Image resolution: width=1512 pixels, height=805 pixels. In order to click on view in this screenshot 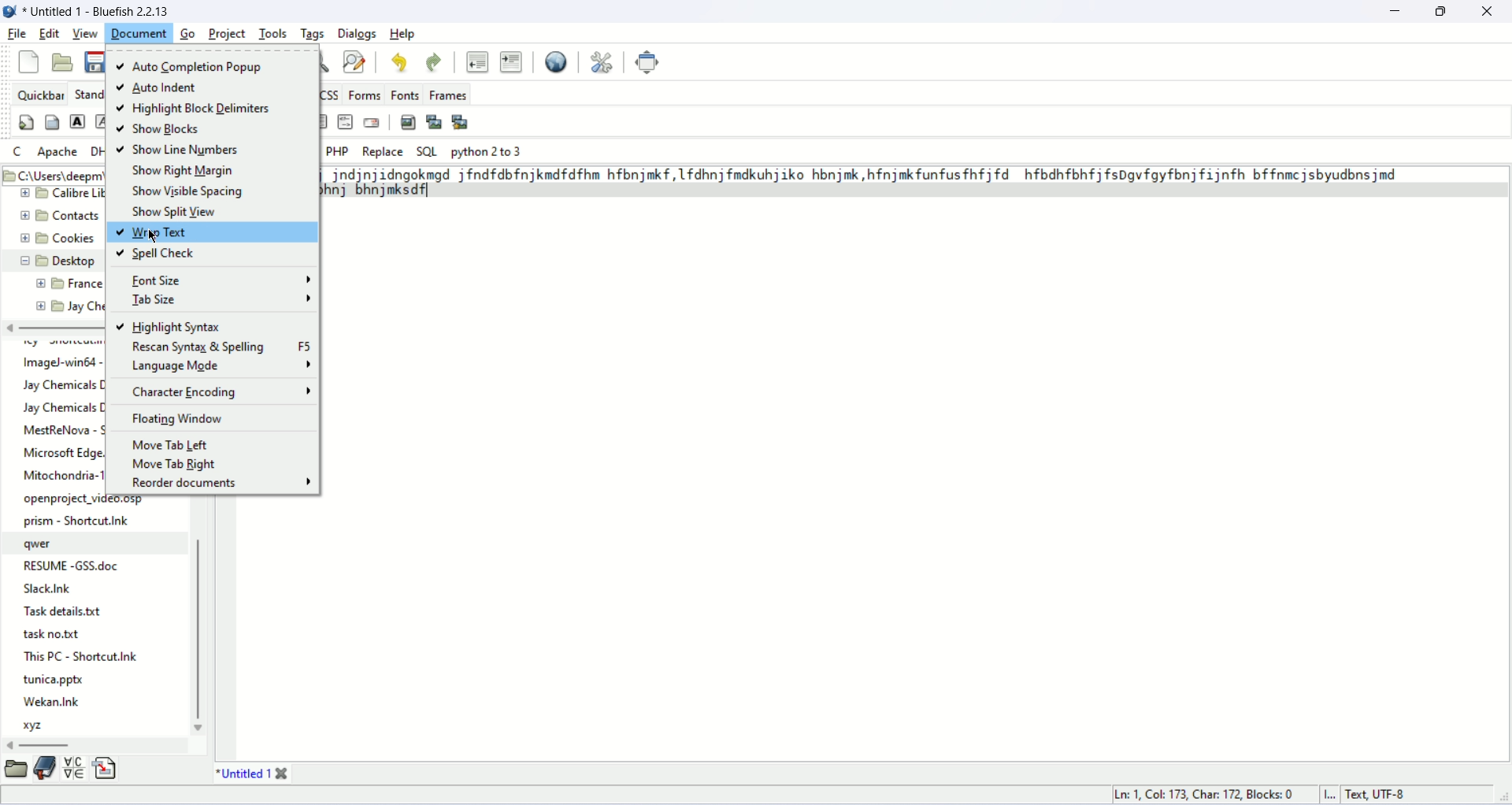, I will do `click(86, 32)`.